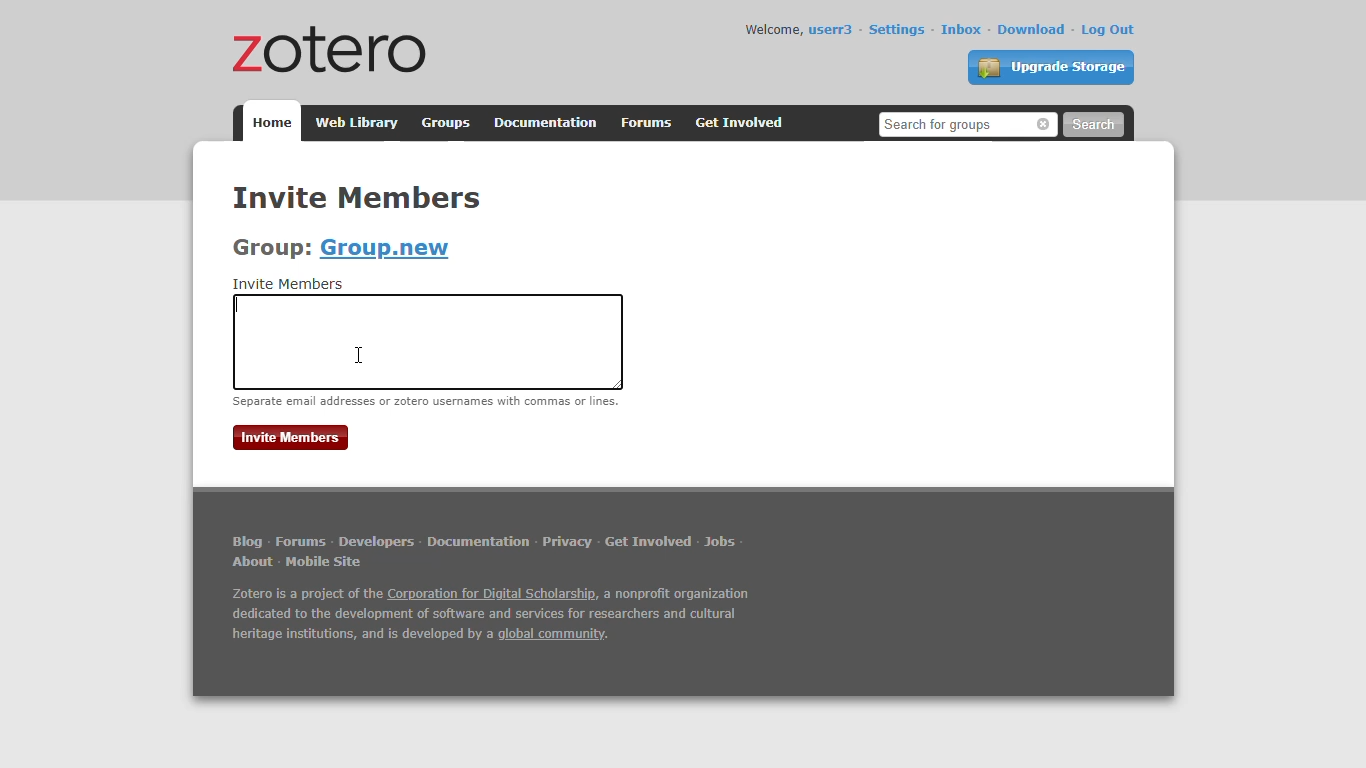  What do you see at coordinates (291, 437) in the screenshot?
I see `invite members` at bounding box center [291, 437].